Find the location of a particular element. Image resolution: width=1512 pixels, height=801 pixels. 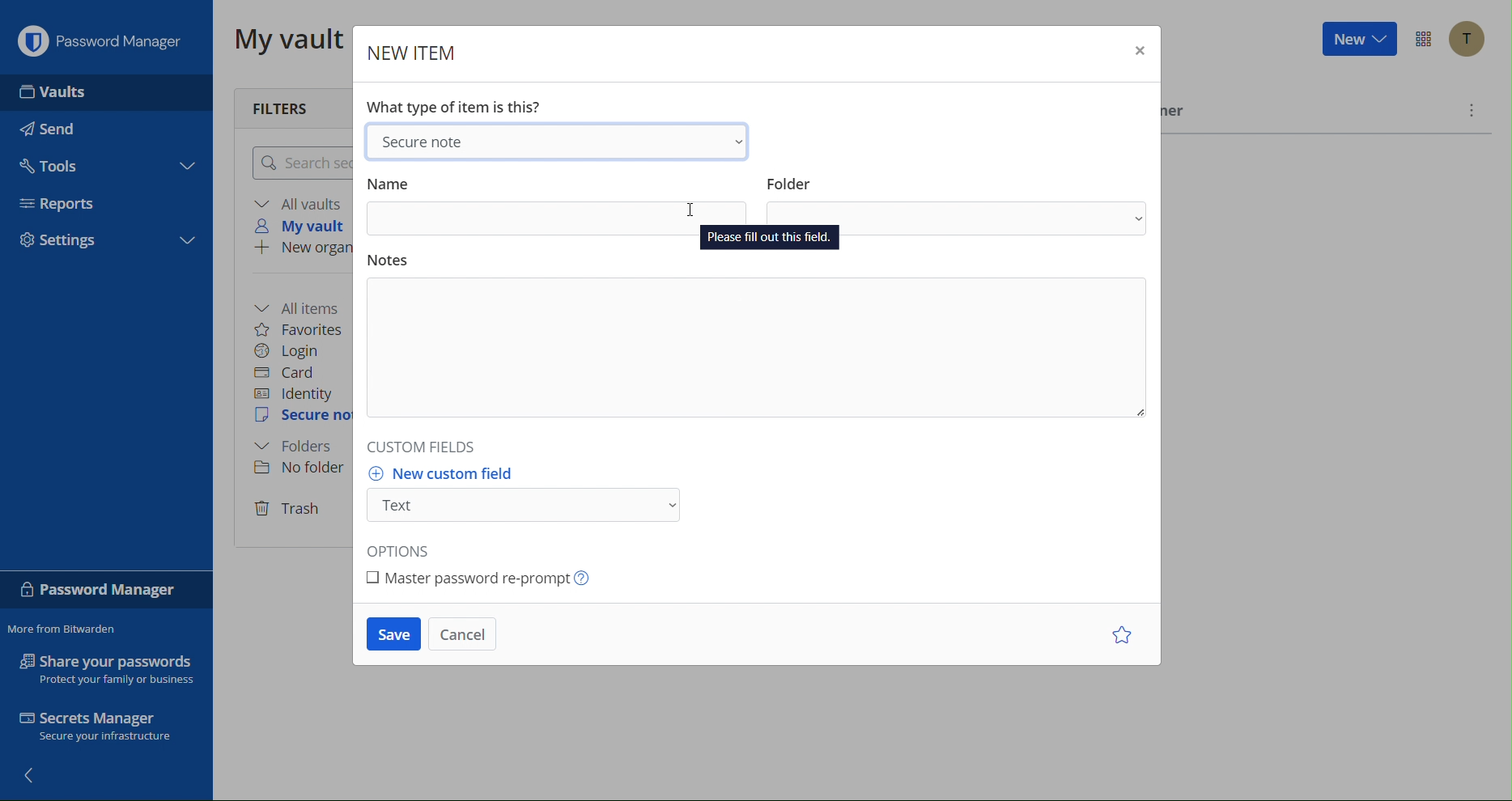

Favorites is located at coordinates (304, 328).